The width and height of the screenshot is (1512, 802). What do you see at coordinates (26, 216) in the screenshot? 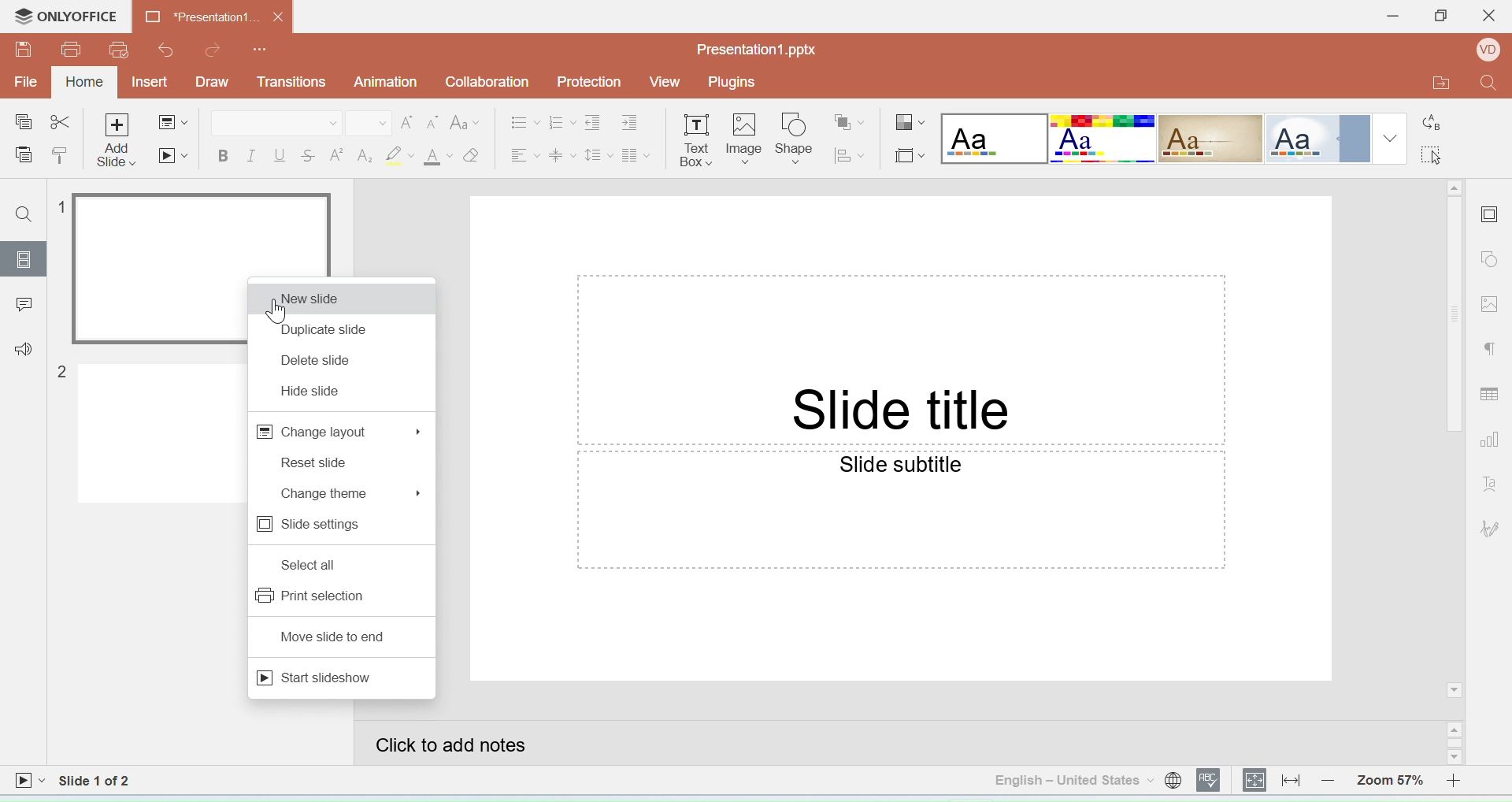
I see `Find` at bounding box center [26, 216].